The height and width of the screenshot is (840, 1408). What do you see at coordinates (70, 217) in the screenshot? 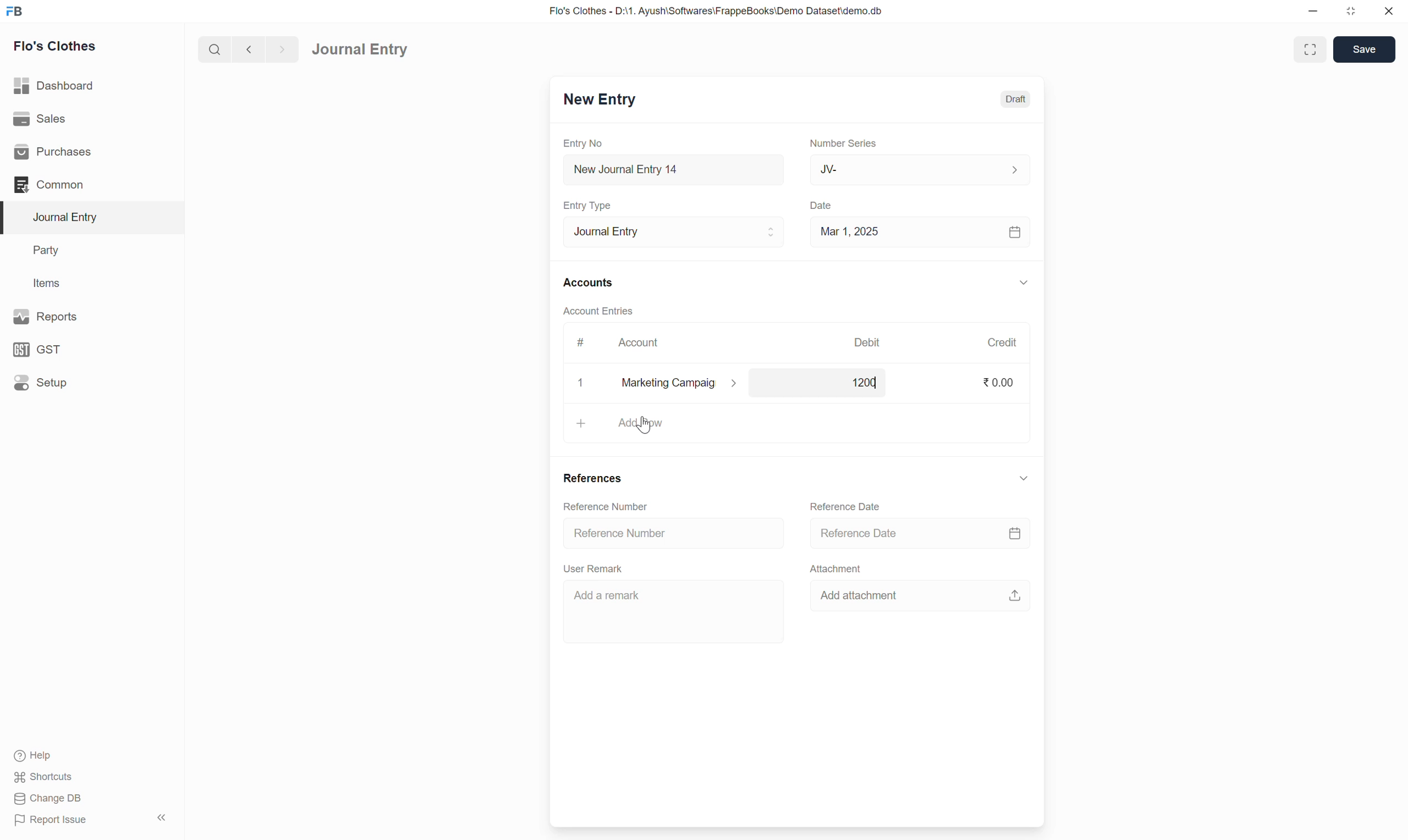
I see `Journal Entry` at bounding box center [70, 217].